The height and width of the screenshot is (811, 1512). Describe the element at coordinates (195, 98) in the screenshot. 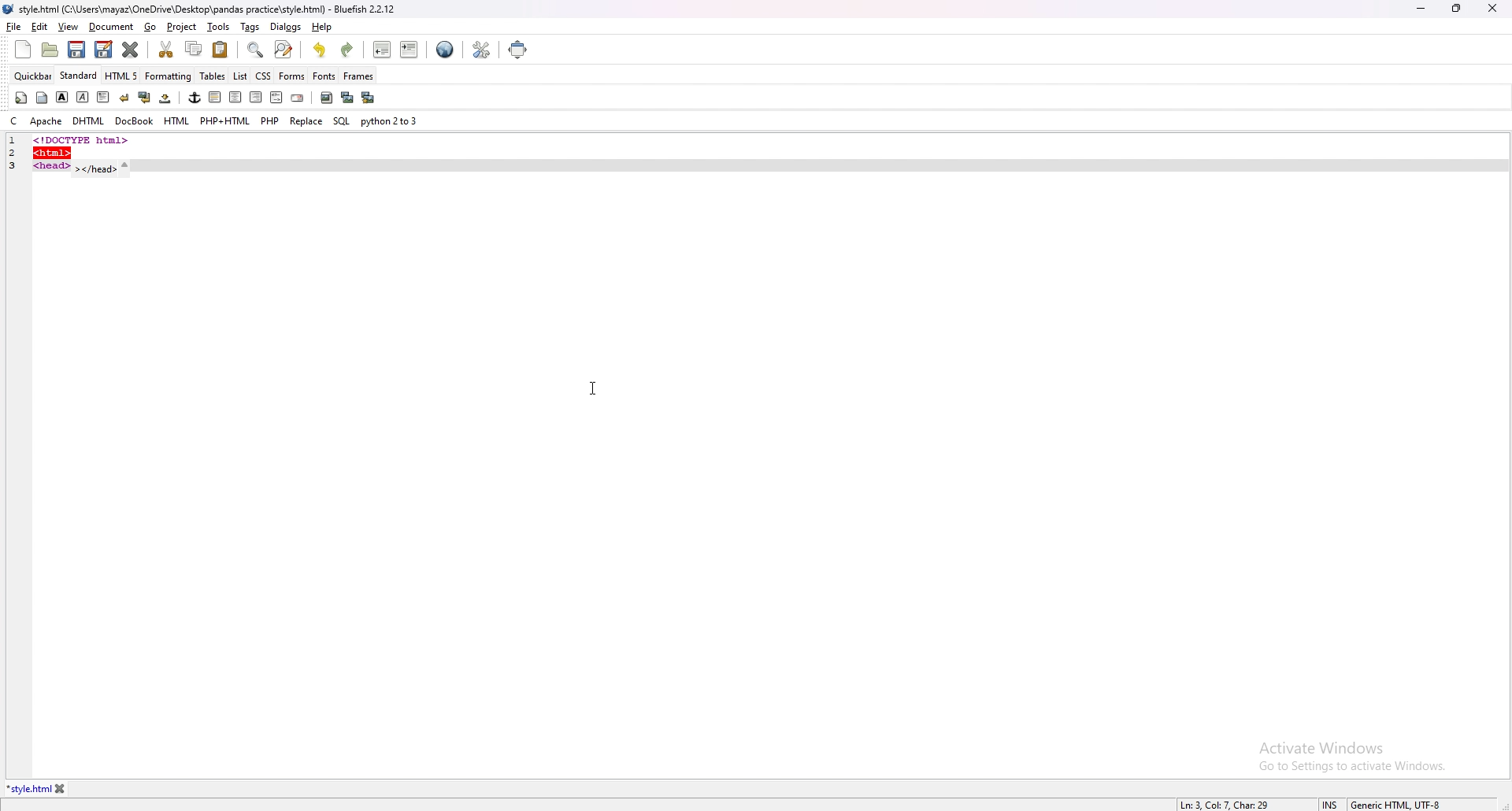

I see `anchor` at that location.